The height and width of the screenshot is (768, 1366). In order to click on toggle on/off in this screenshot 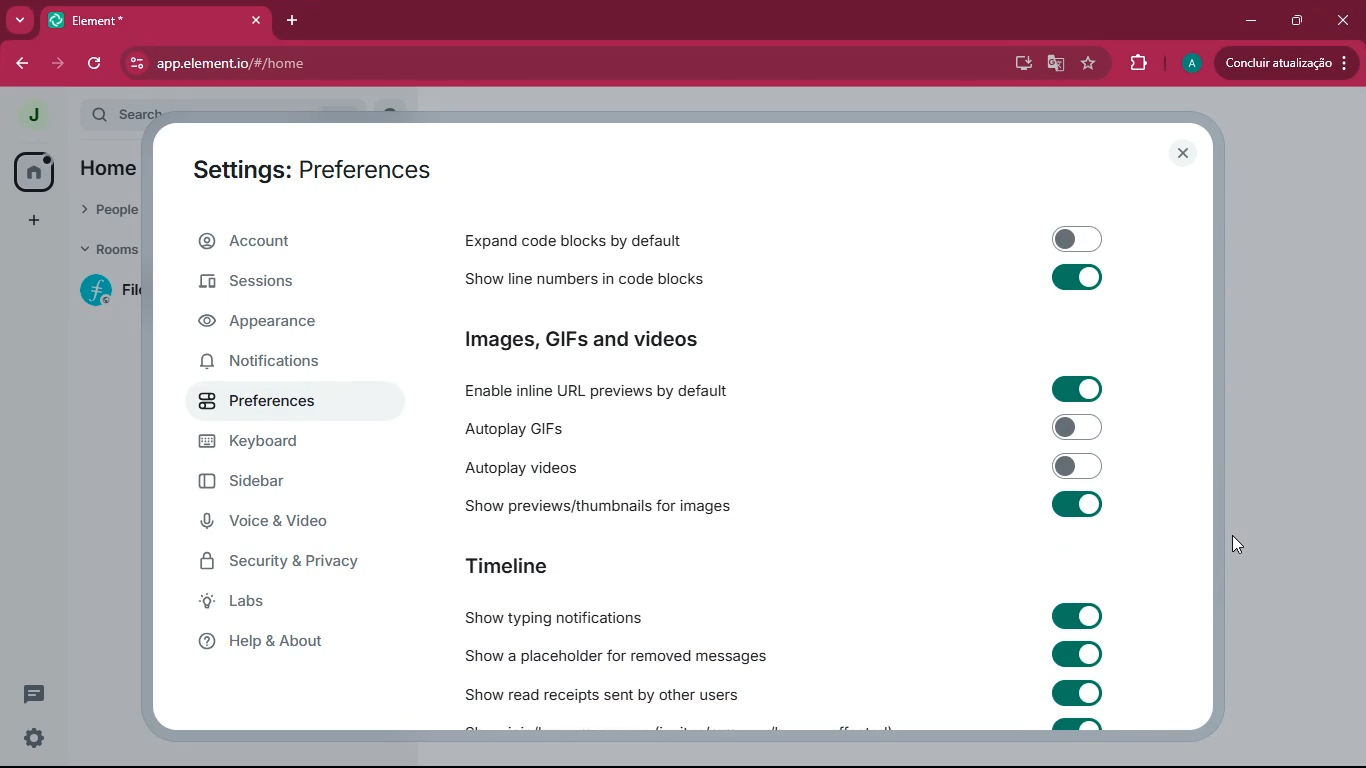, I will do `click(1079, 239)`.